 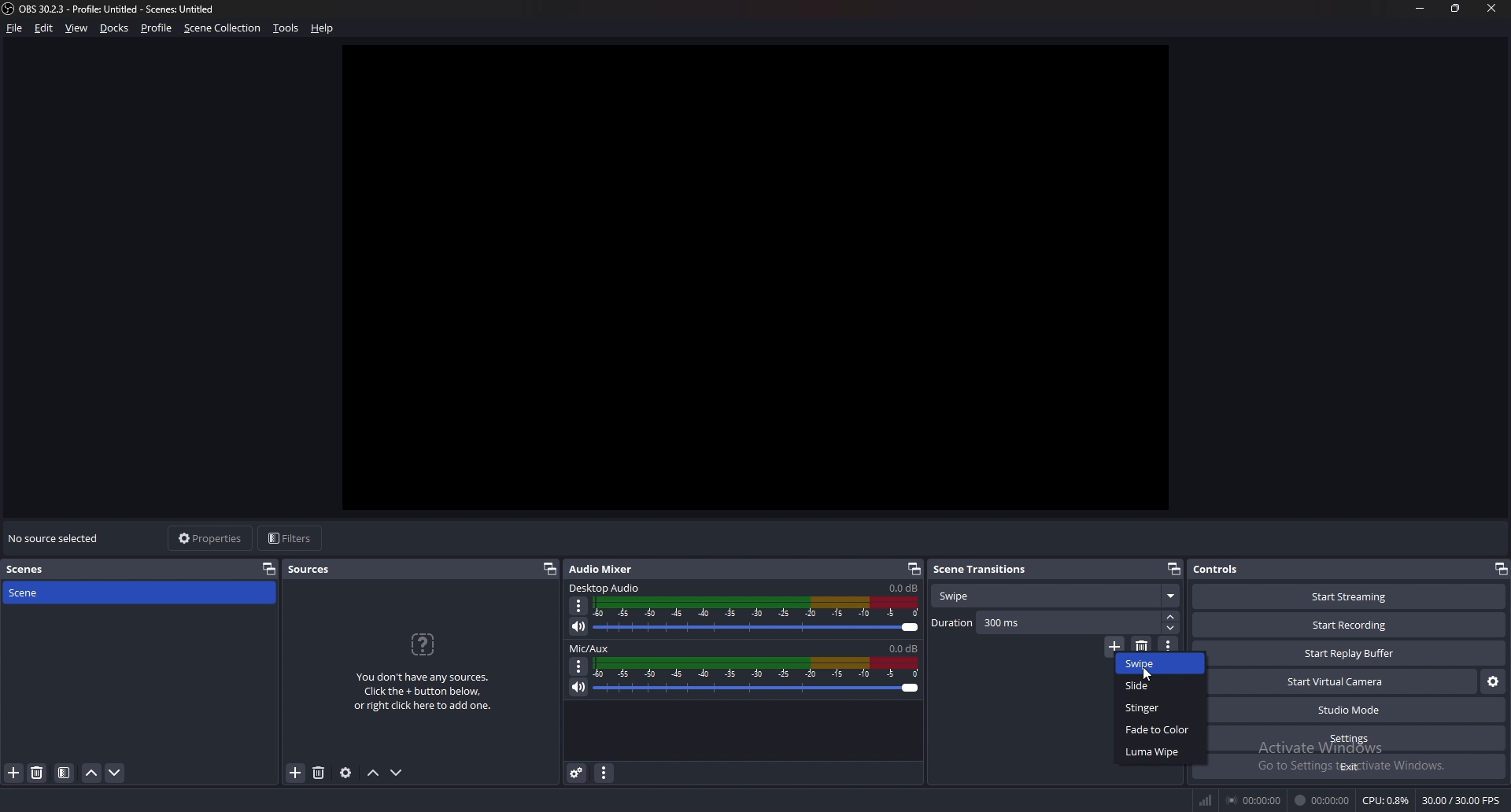 I want to click on pop out, so click(x=914, y=570).